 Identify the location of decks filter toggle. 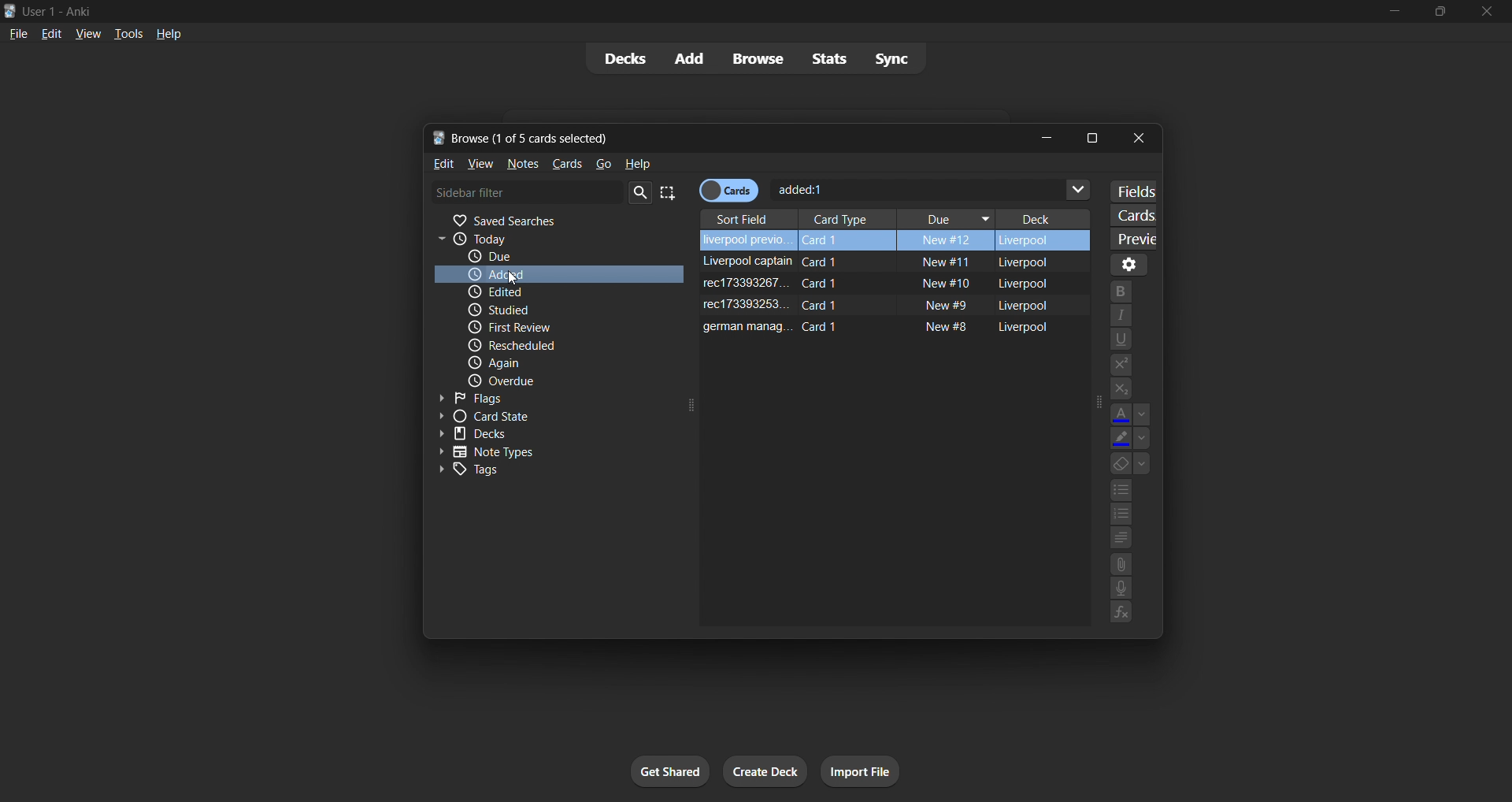
(539, 437).